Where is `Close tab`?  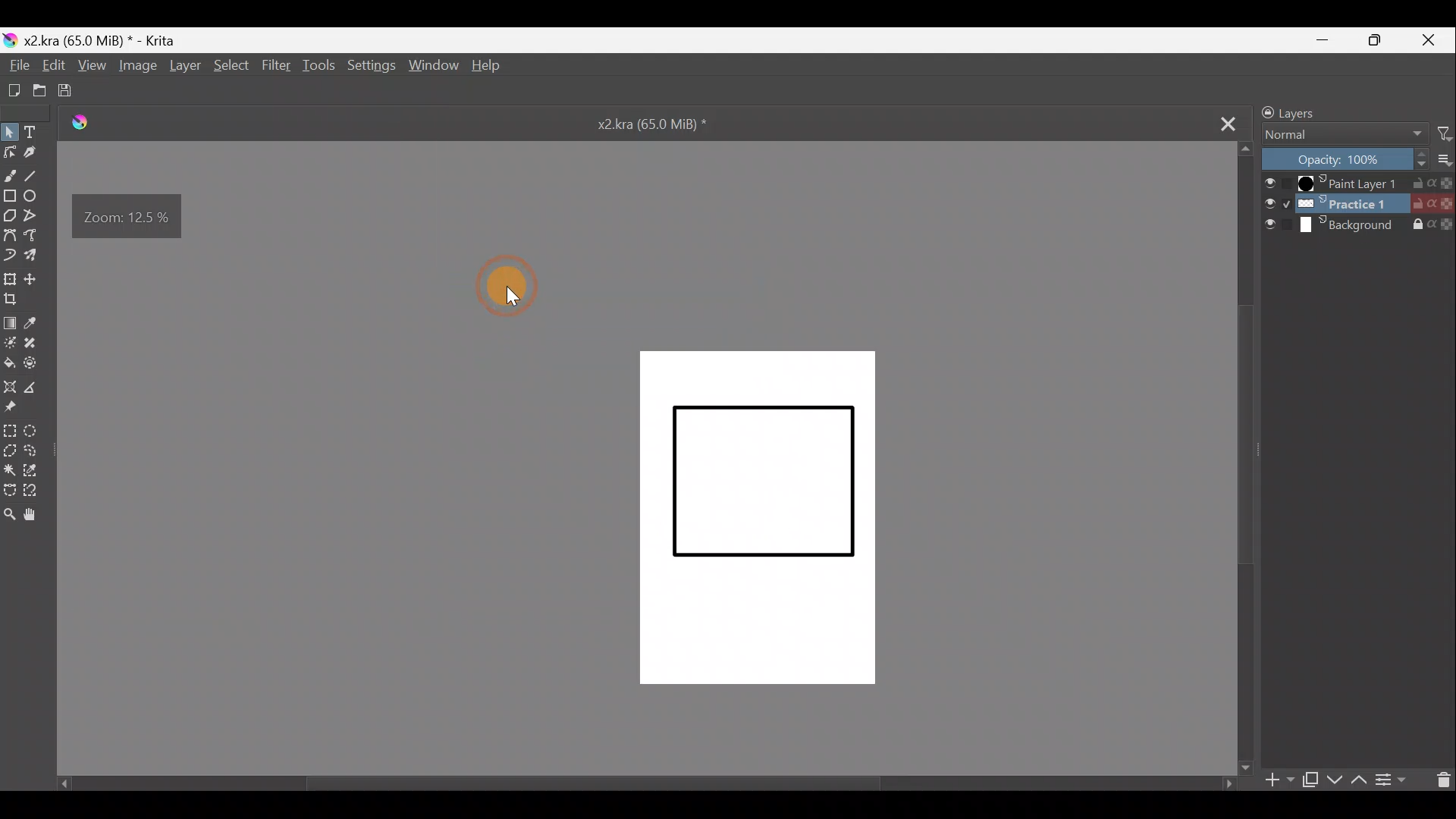
Close tab is located at coordinates (1225, 122).